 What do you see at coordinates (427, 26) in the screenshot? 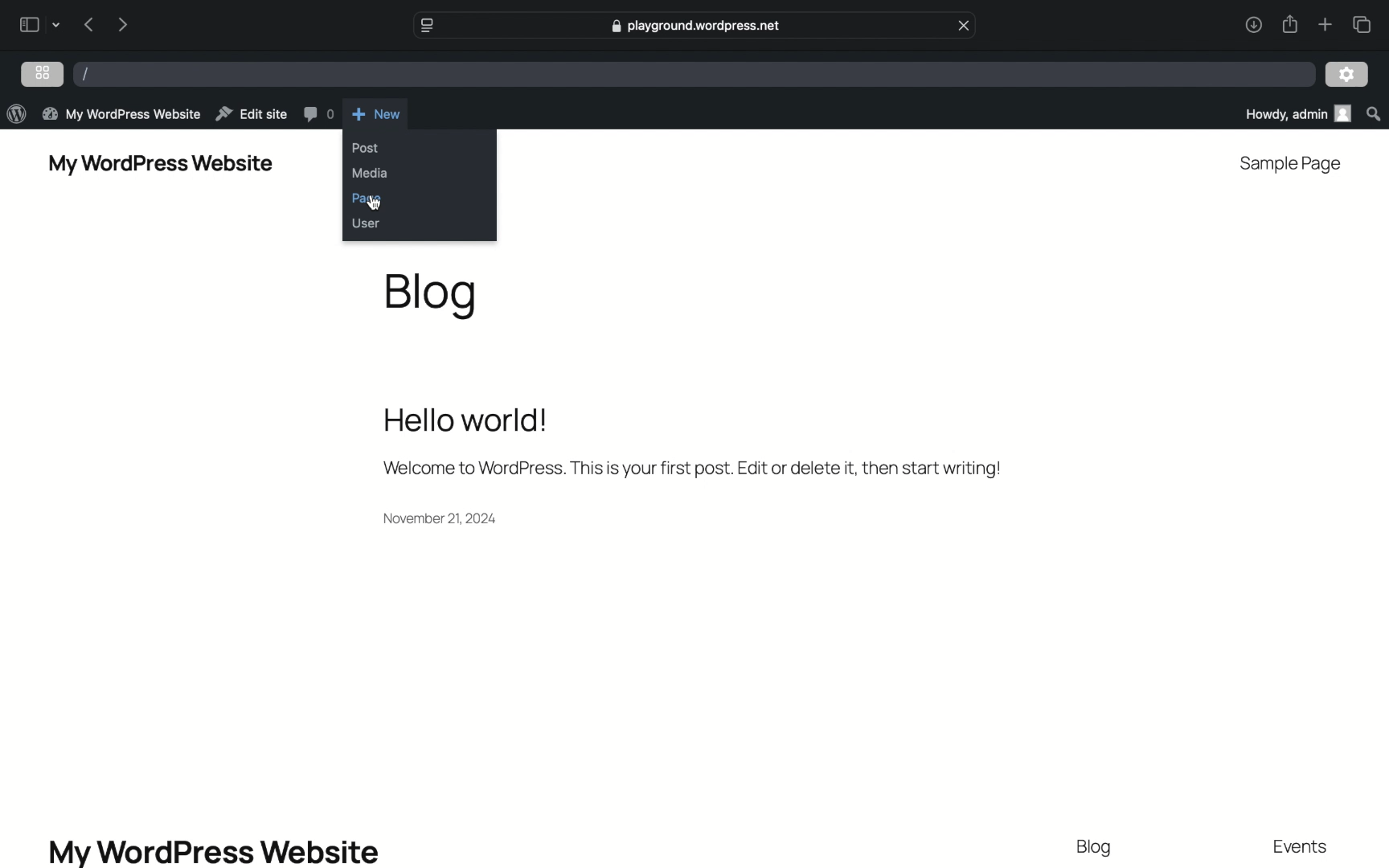
I see `website settings` at bounding box center [427, 26].